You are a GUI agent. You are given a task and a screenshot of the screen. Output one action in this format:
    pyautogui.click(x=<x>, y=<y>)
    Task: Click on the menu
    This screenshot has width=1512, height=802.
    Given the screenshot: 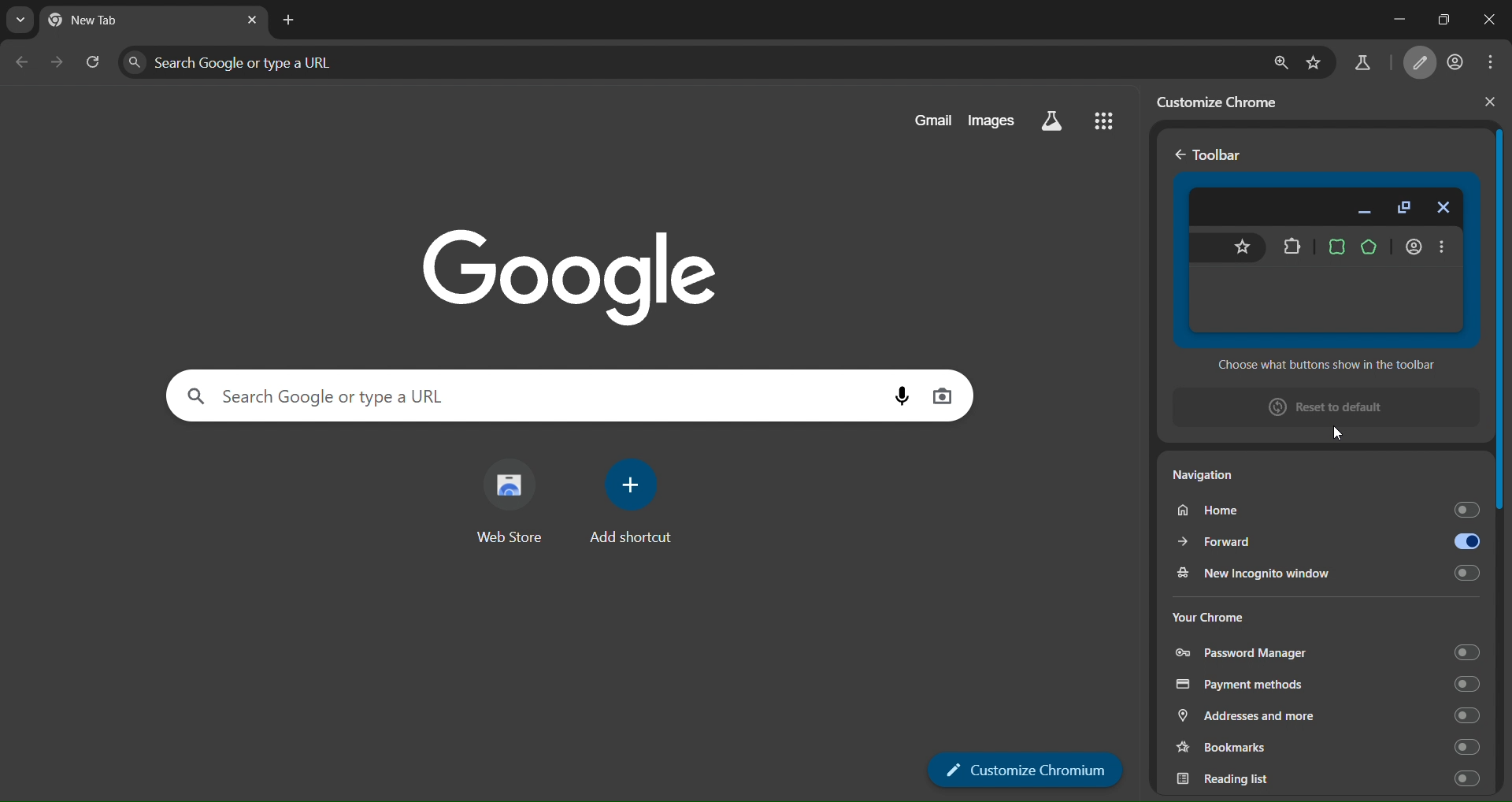 What is the action you would take?
    pyautogui.click(x=1489, y=65)
    